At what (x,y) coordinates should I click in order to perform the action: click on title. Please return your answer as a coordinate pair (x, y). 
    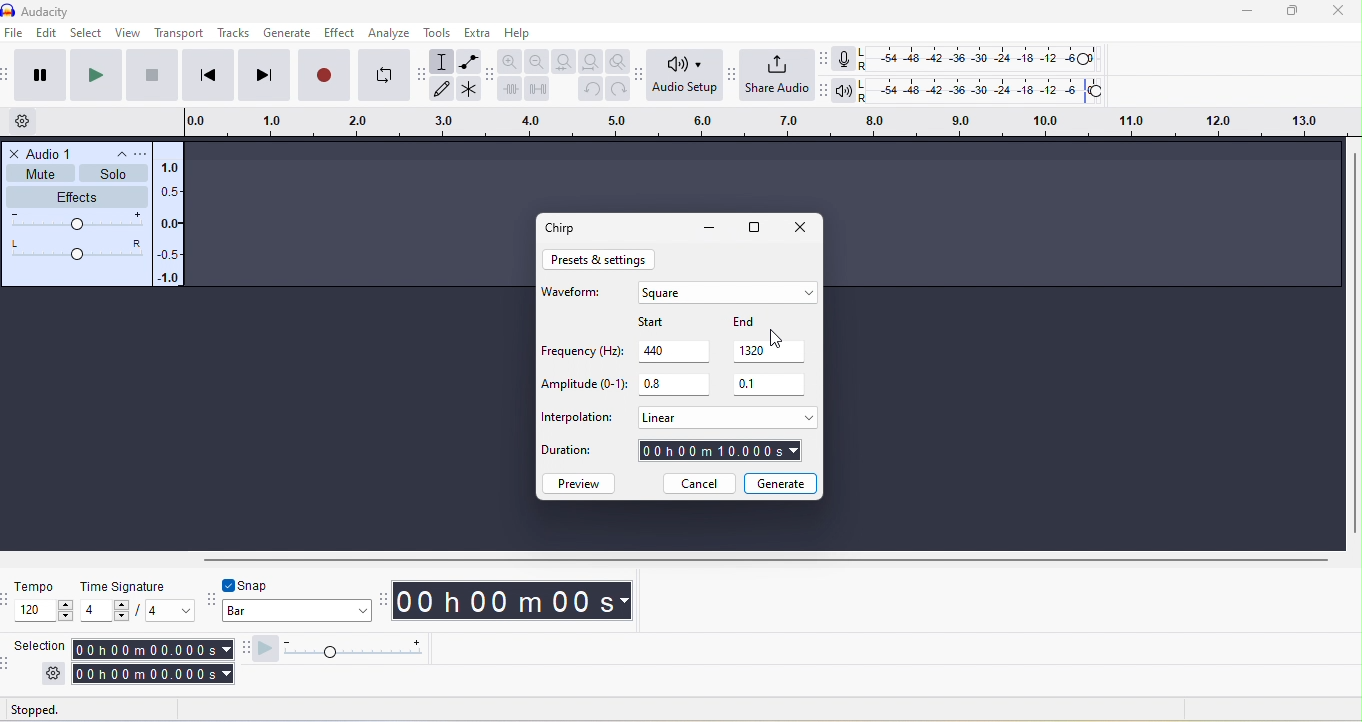
    Looking at the image, I should click on (66, 10).